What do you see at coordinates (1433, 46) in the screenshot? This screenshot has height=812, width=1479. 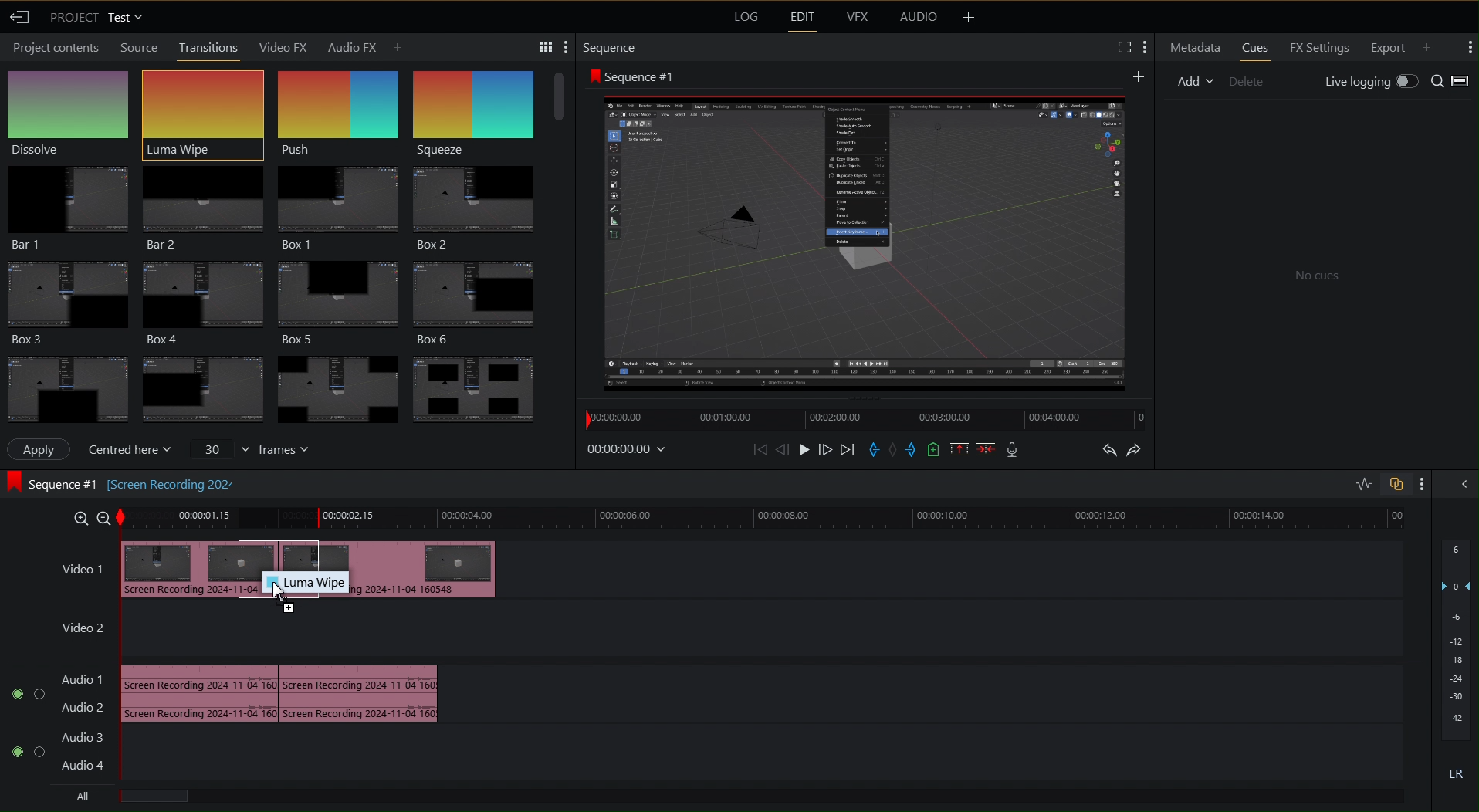 I see `Add` at bounding box center [1433, 46].